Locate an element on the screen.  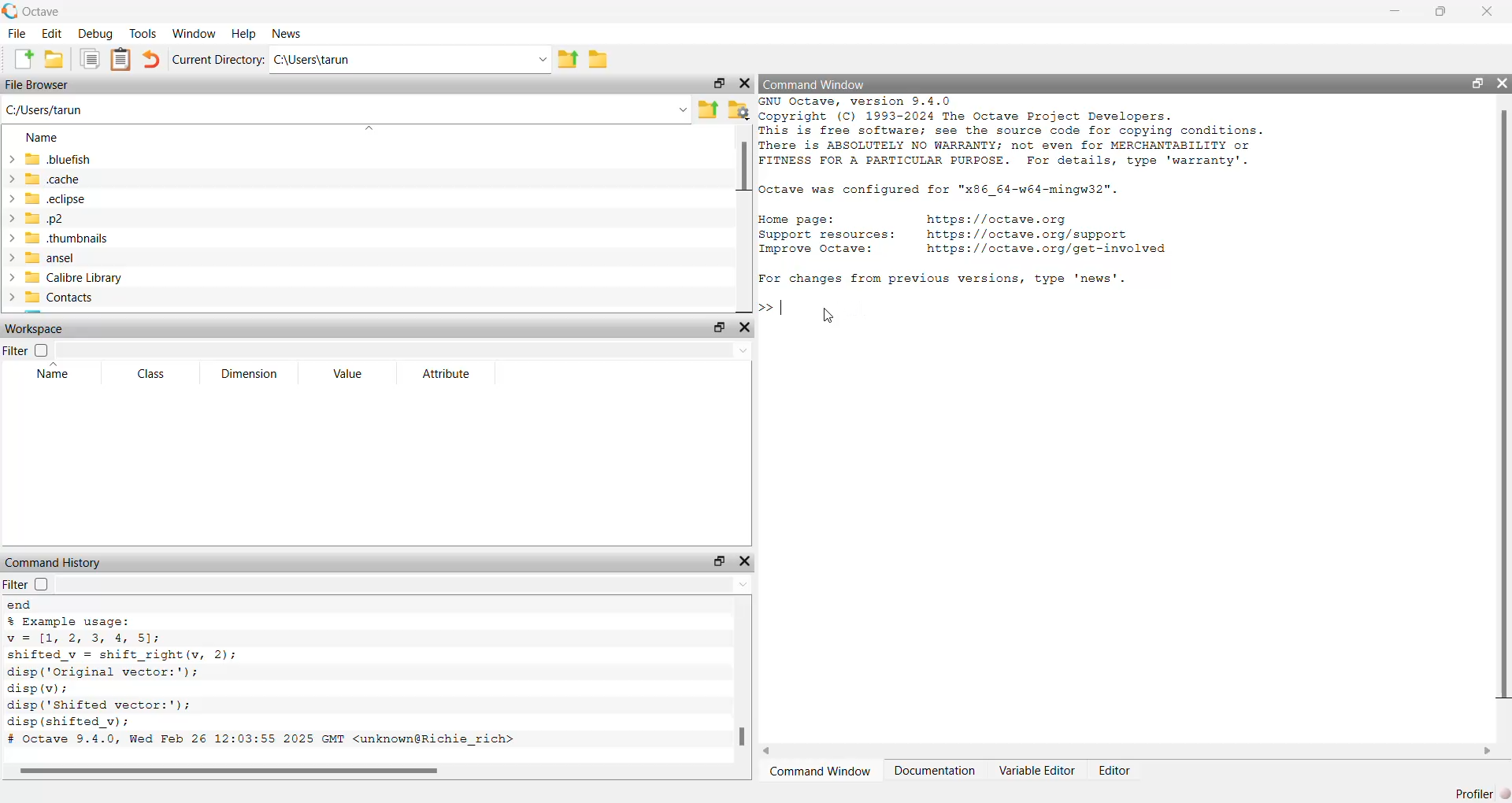
prompt cursor is located at coordinates (763, 305).